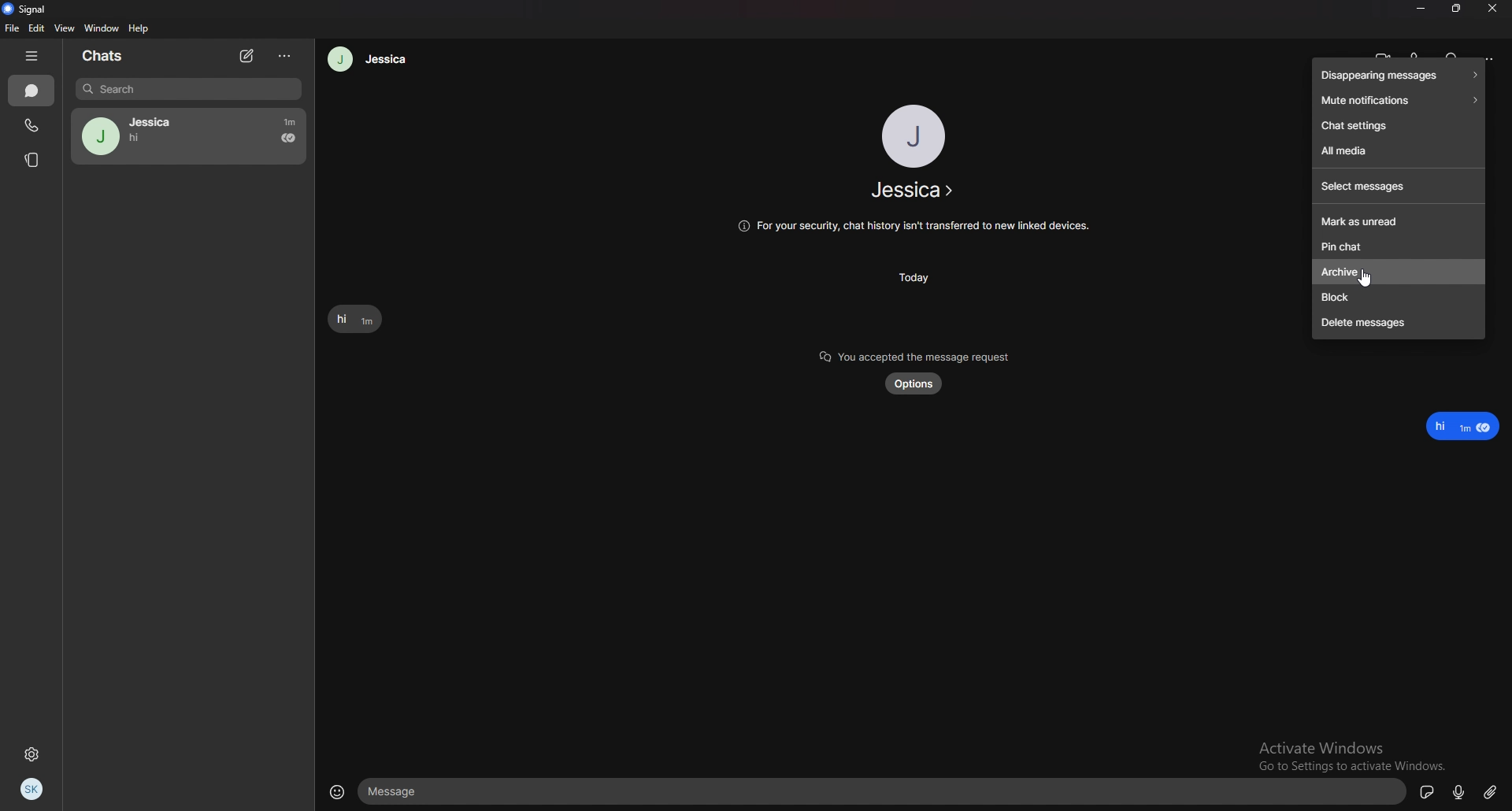 This screenshot has width=1512, height=811. I want to click on view, so click(65, 28).